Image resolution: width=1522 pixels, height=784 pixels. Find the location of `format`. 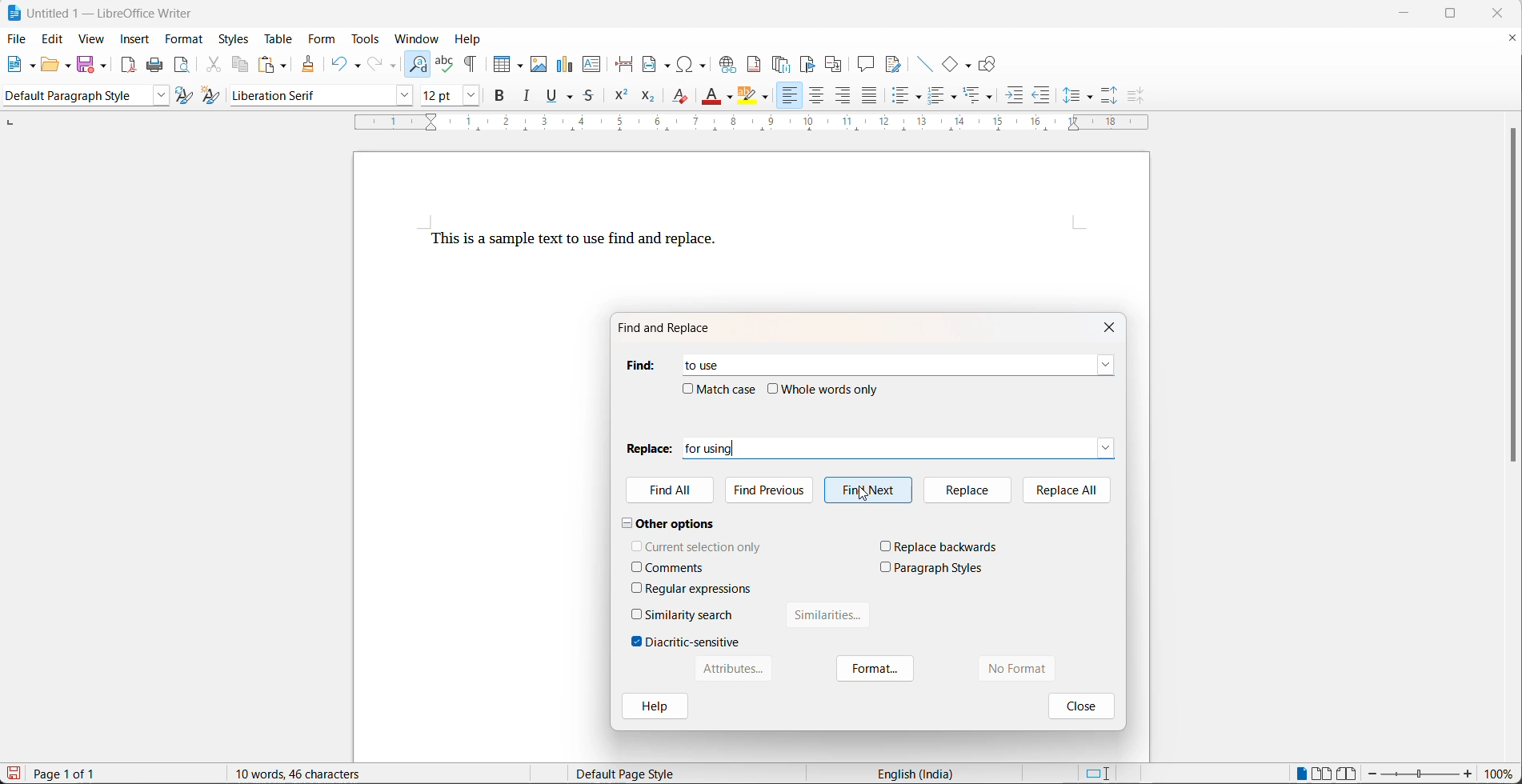

format is located at coordinates (186, 40).